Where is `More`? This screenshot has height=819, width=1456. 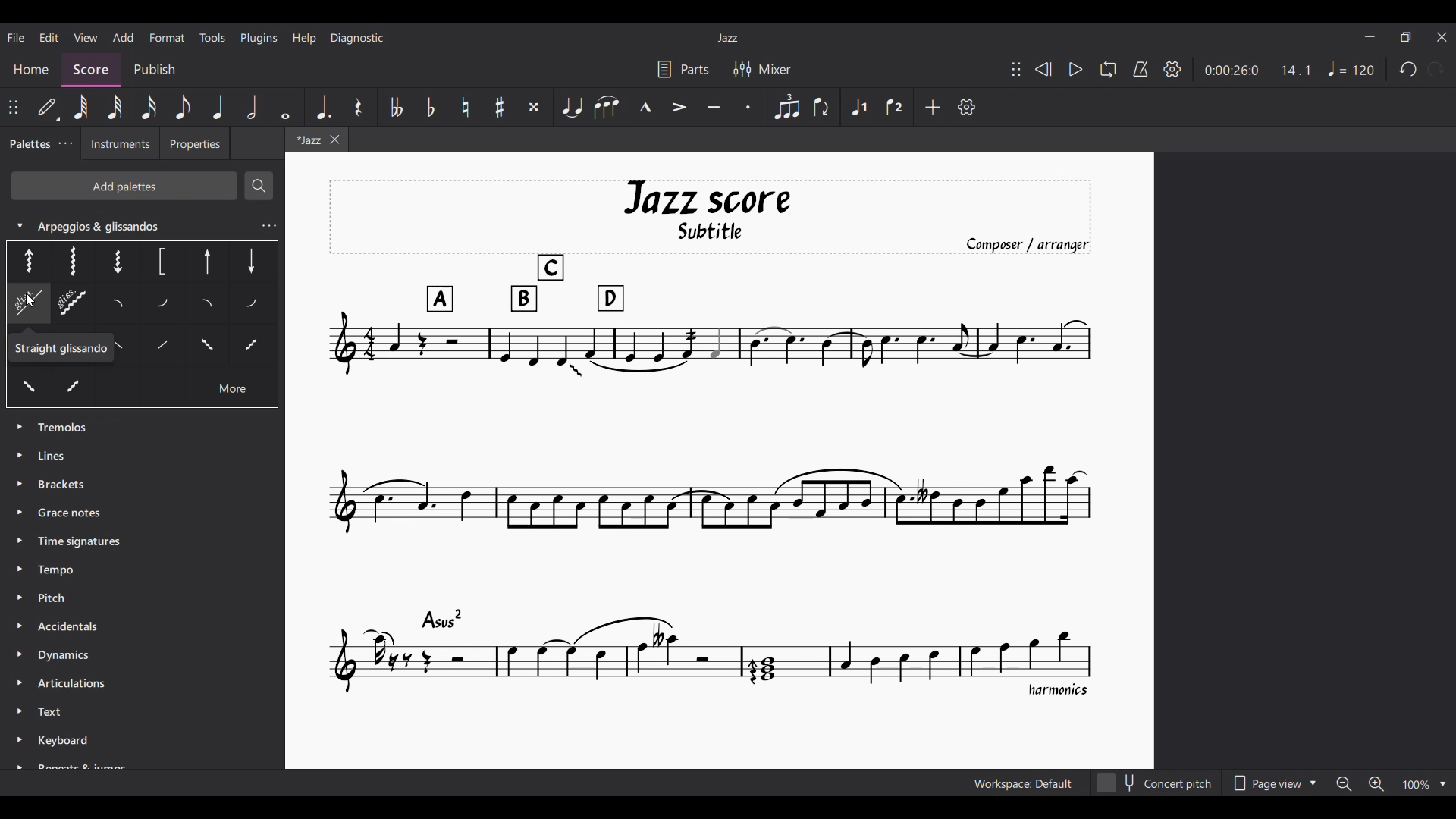 More is located at coordinates (232, 391).